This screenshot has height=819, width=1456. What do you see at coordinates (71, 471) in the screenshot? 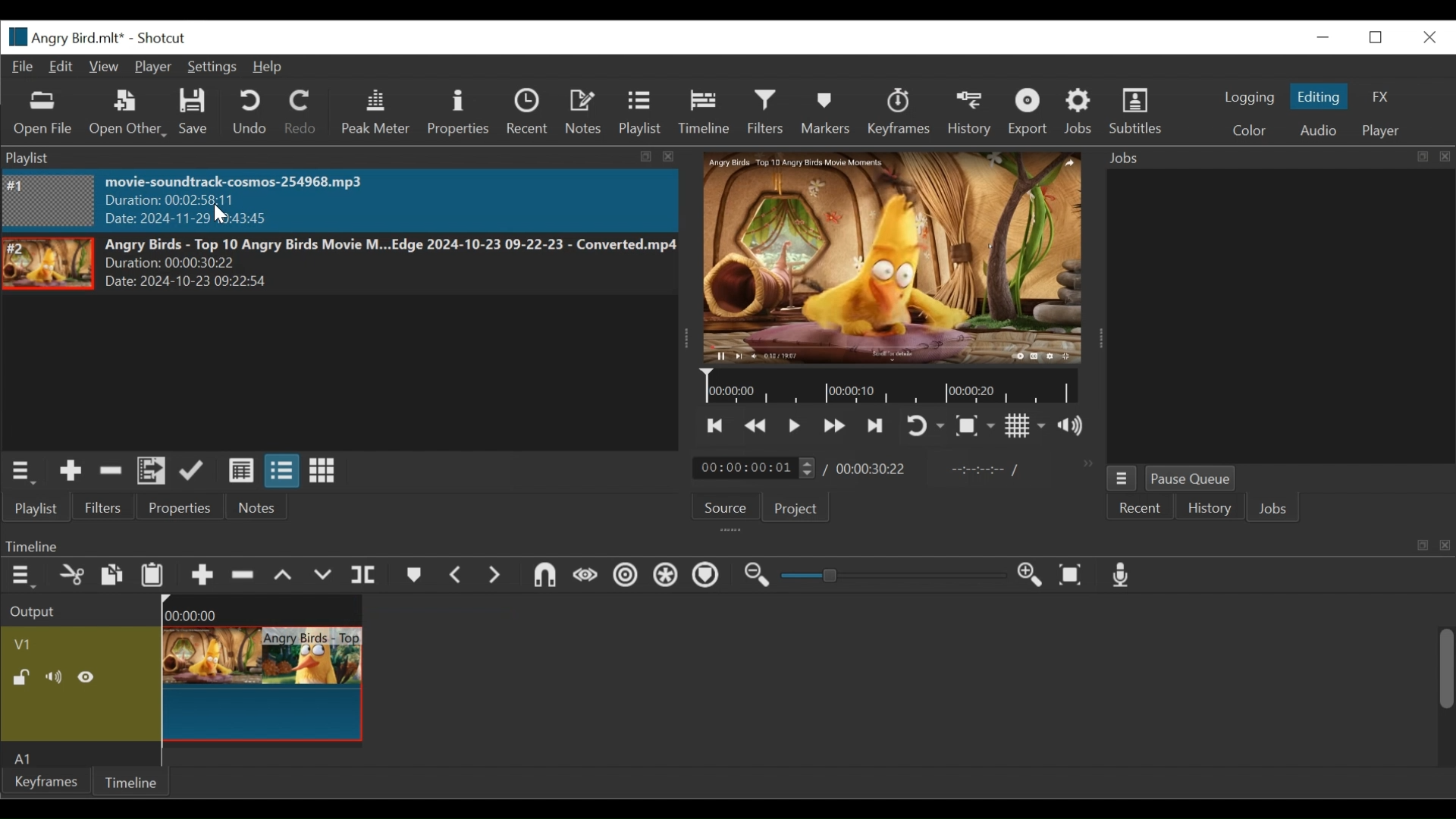
I see `Add the source to the playlist` at bounding box center [71, 471].